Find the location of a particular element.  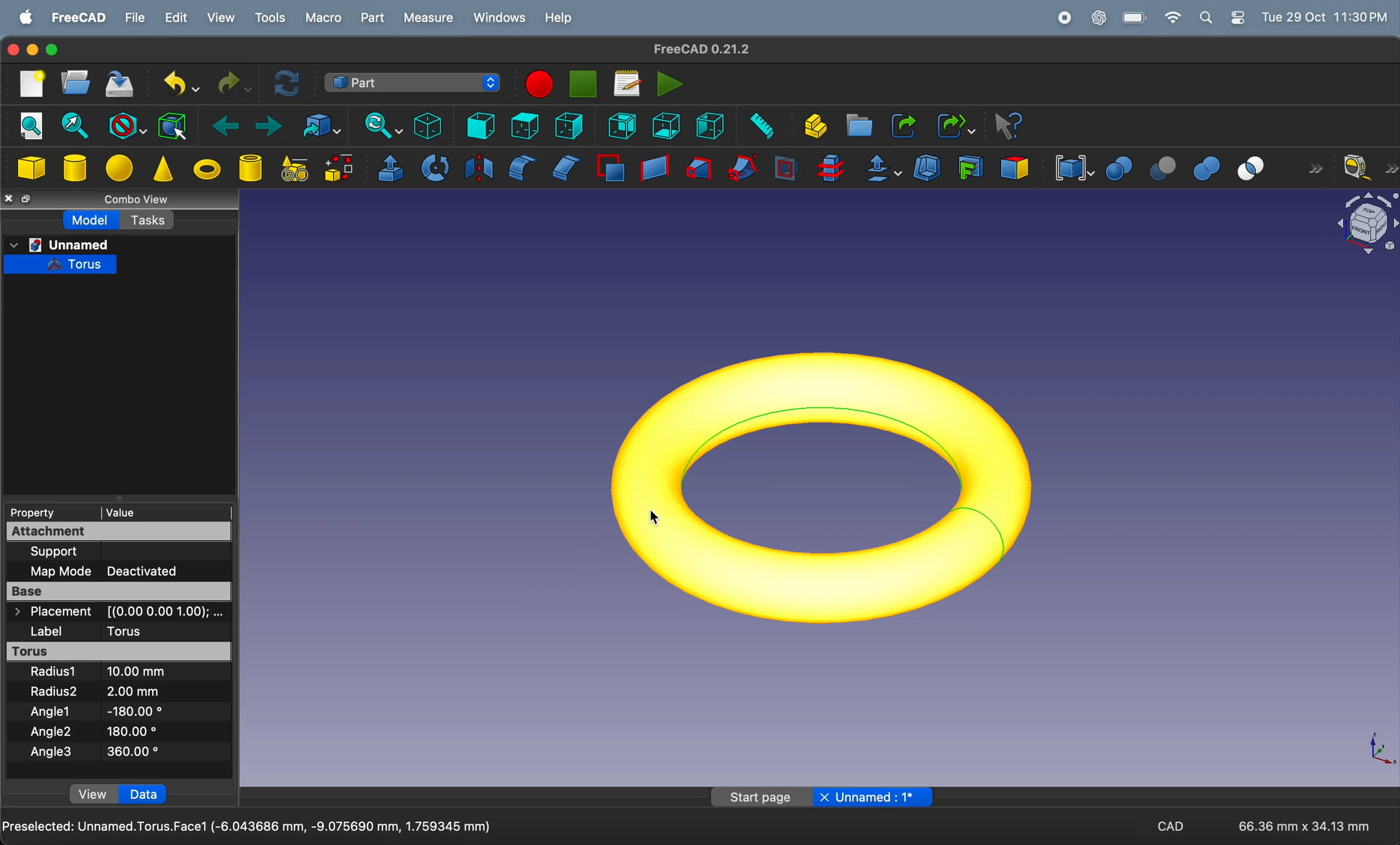

torus is located at coordinates (829, 492).